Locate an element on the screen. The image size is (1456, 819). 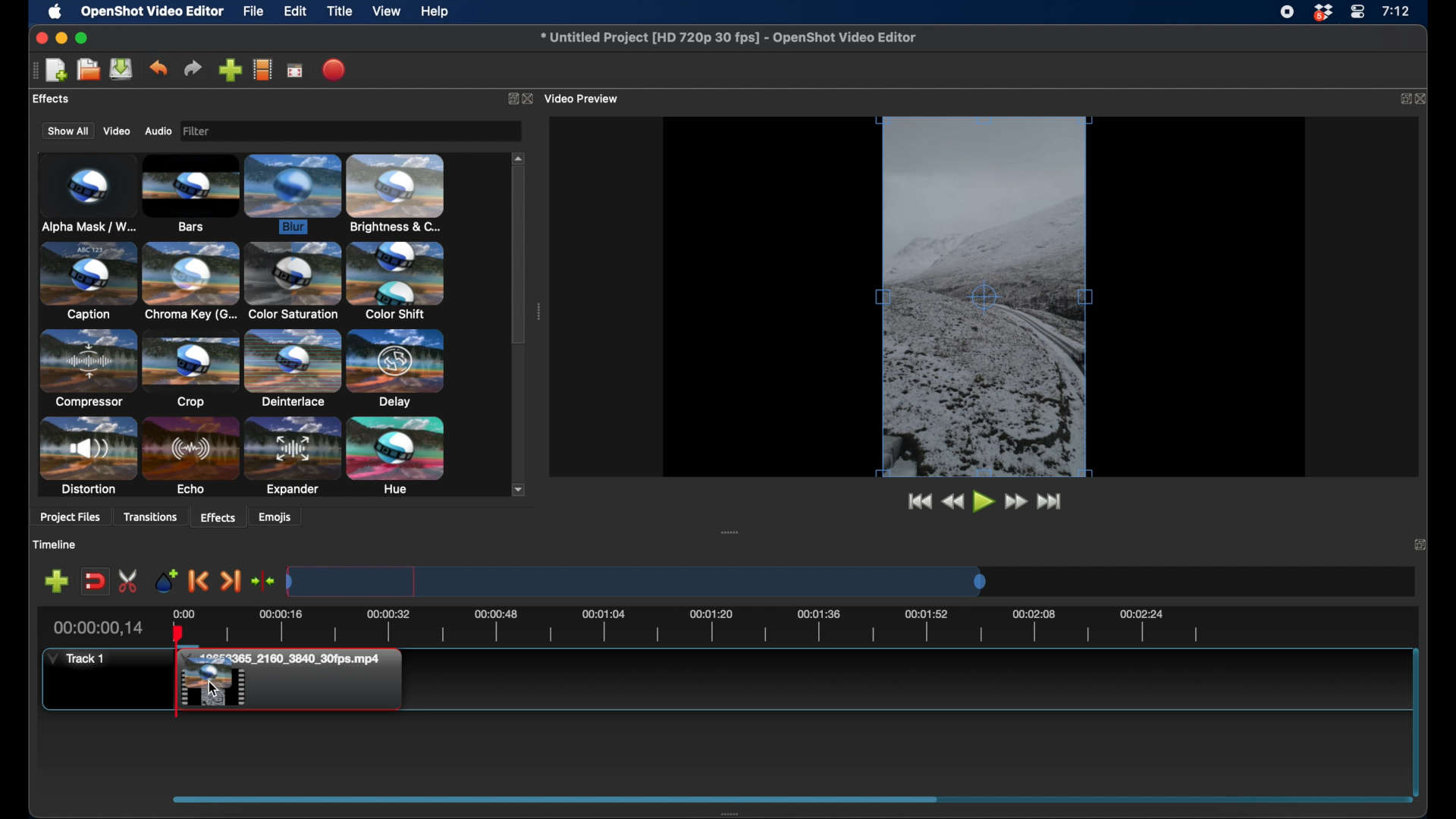
title is located at coordinates (340, 11).